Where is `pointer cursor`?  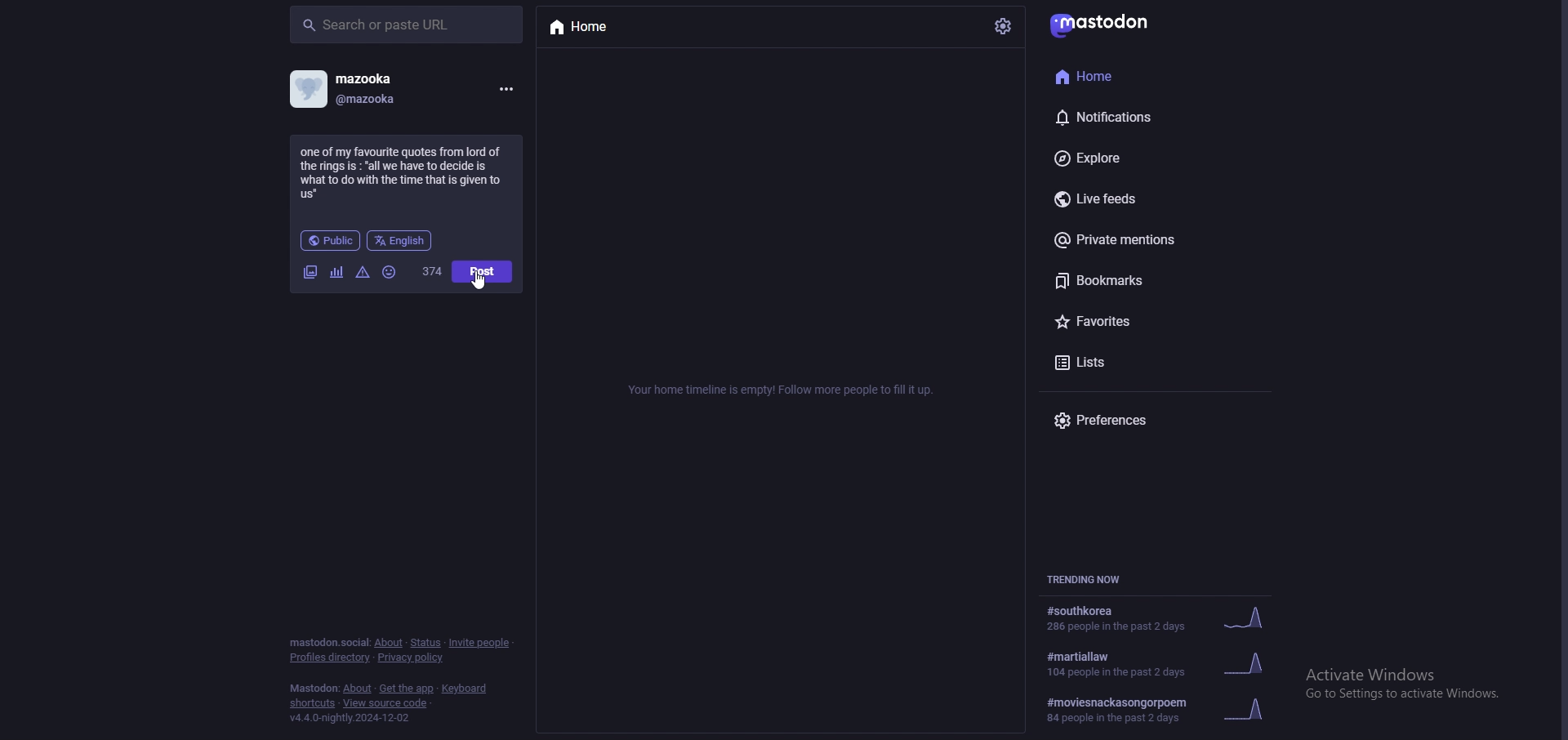
pointer cursor is located at coordinates (483, 286).